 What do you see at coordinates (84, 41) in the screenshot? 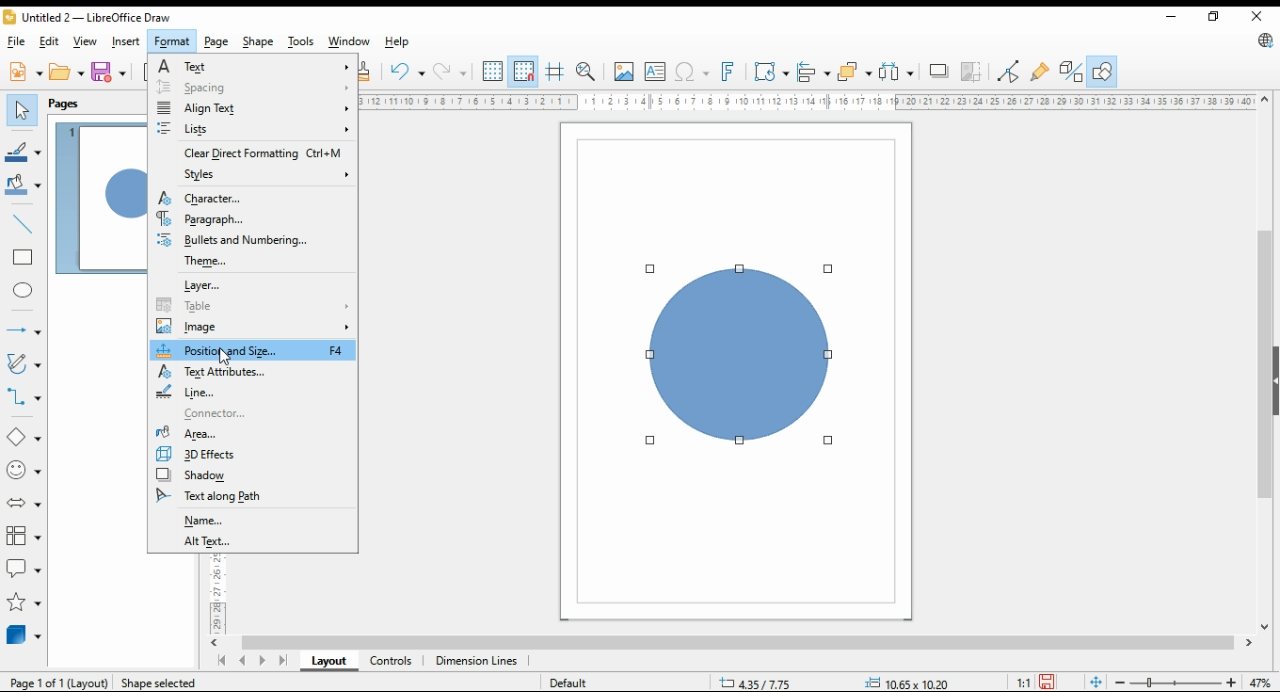
I see `view` at bounding box center [84, 41].